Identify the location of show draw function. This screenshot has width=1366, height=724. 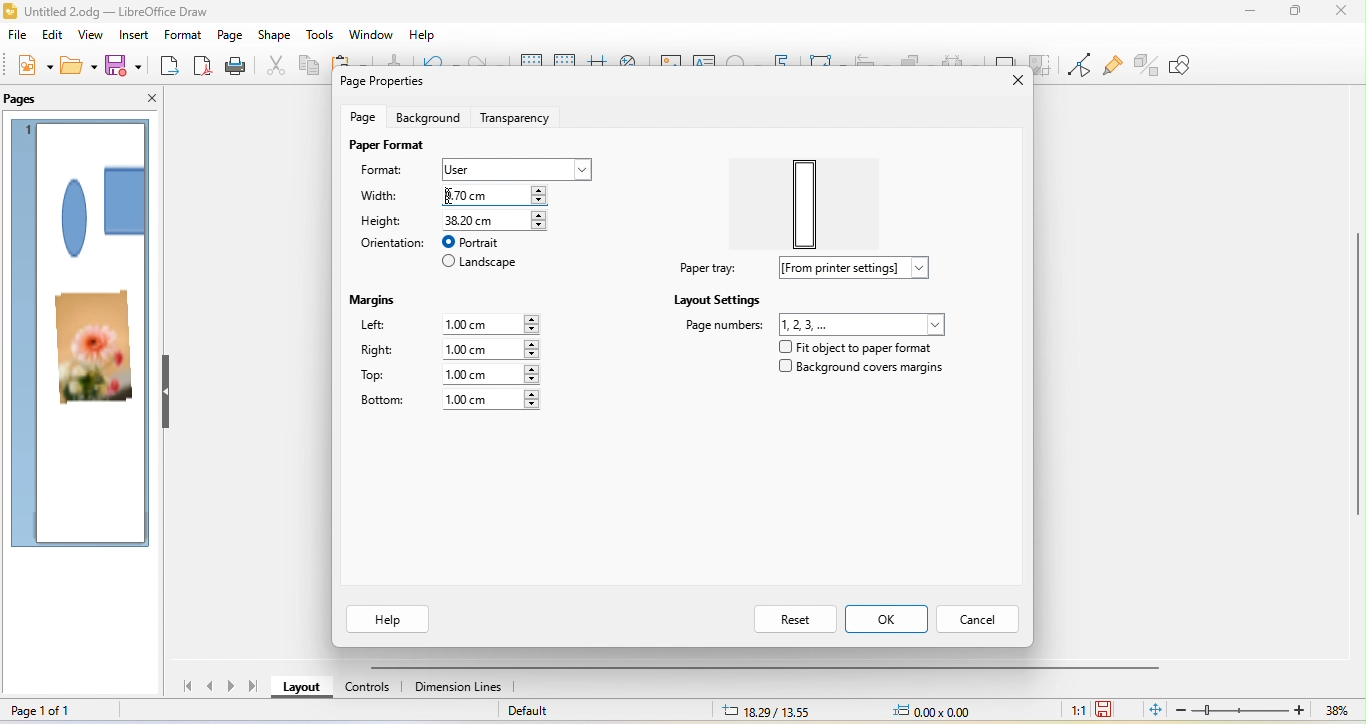
(1192, 67).